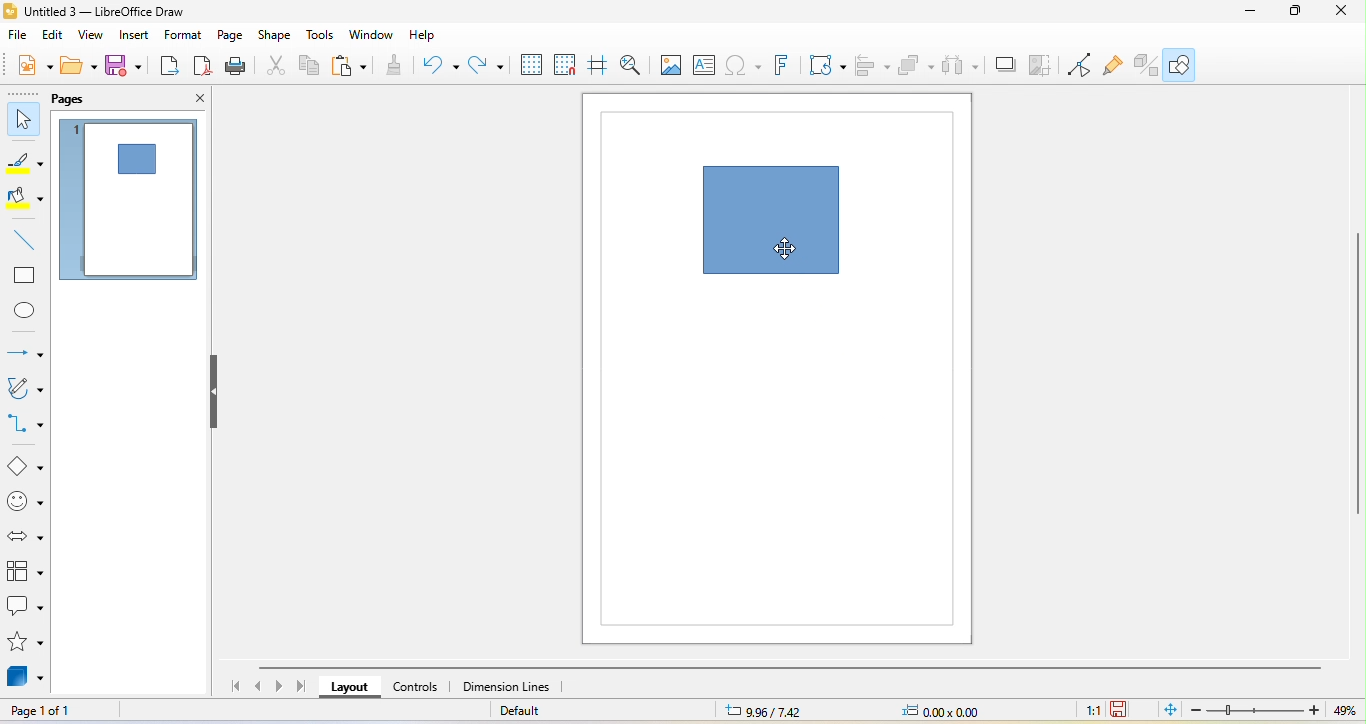 The width and height of the screenshot is (1366, 724). What do you see at coordinates (1245, 14) in the screenshot?
I see `minimze` at bounding box center [1245, 14].